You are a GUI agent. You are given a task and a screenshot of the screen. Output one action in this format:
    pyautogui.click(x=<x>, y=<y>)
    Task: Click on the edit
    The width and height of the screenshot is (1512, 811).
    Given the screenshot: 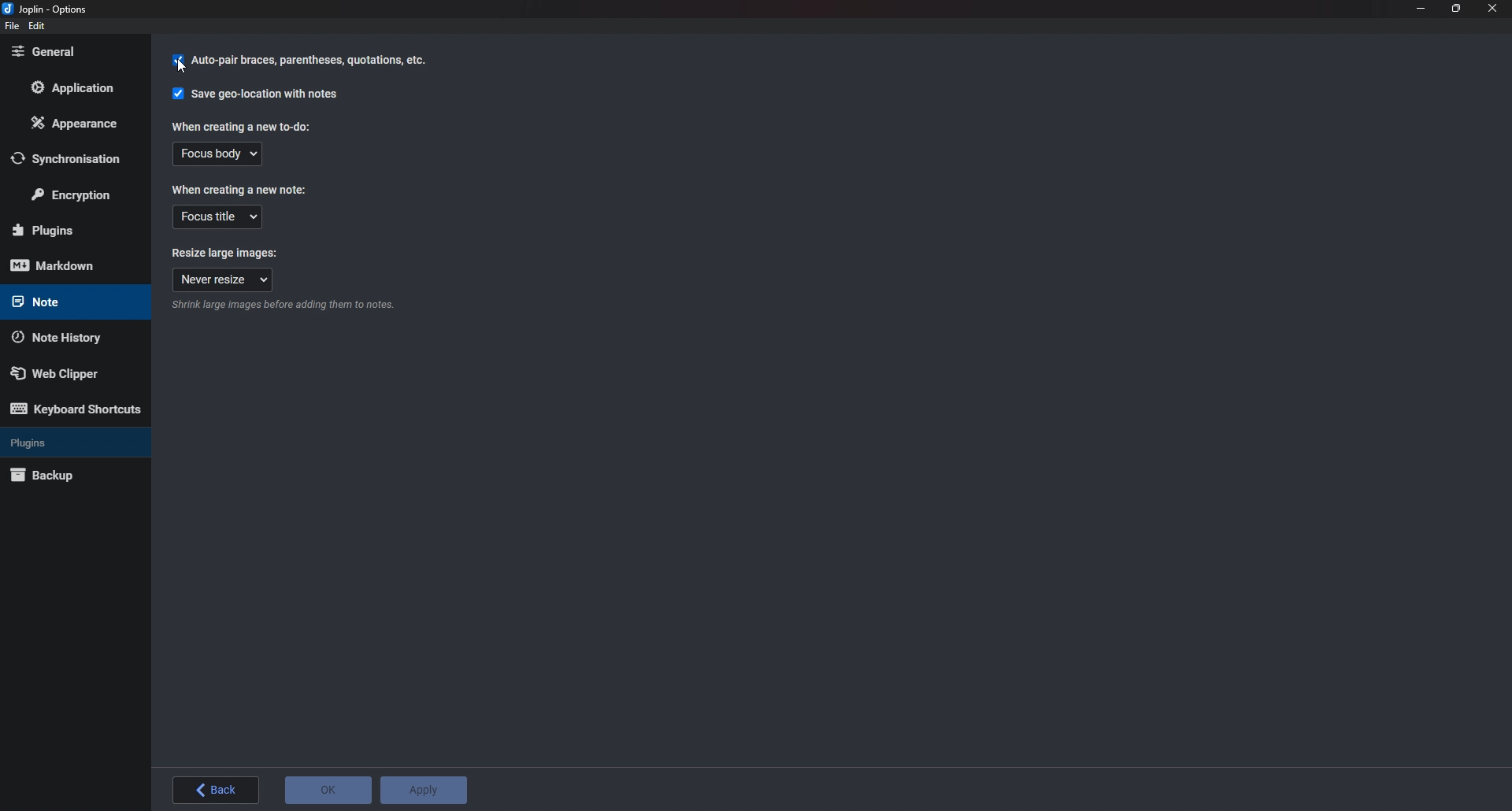 What is the action you would take?
    pyautogui.click(x=35, y=25)
    